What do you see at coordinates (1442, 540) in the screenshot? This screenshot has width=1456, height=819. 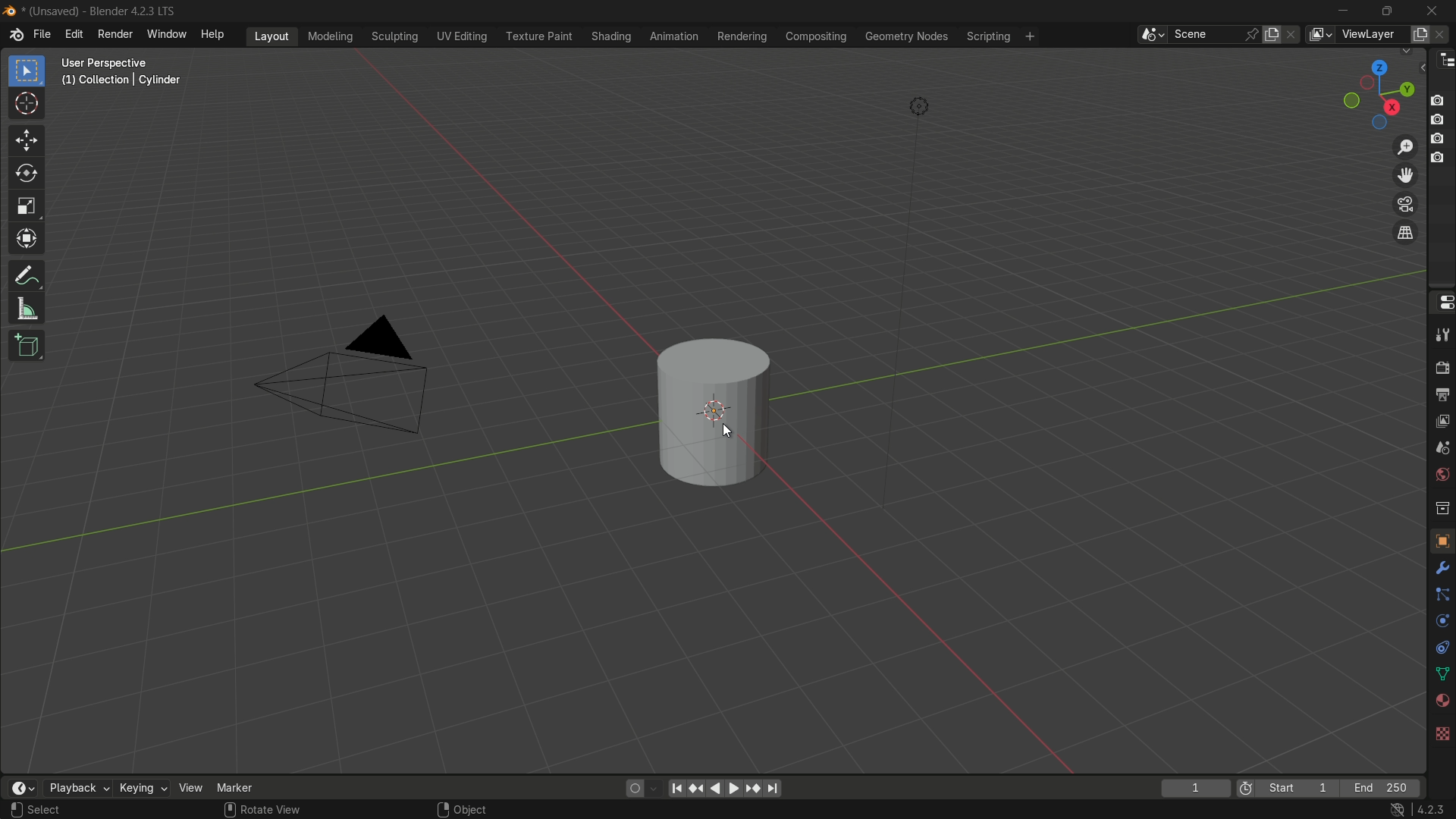 I see `object` at bounding box center [1442, 540].